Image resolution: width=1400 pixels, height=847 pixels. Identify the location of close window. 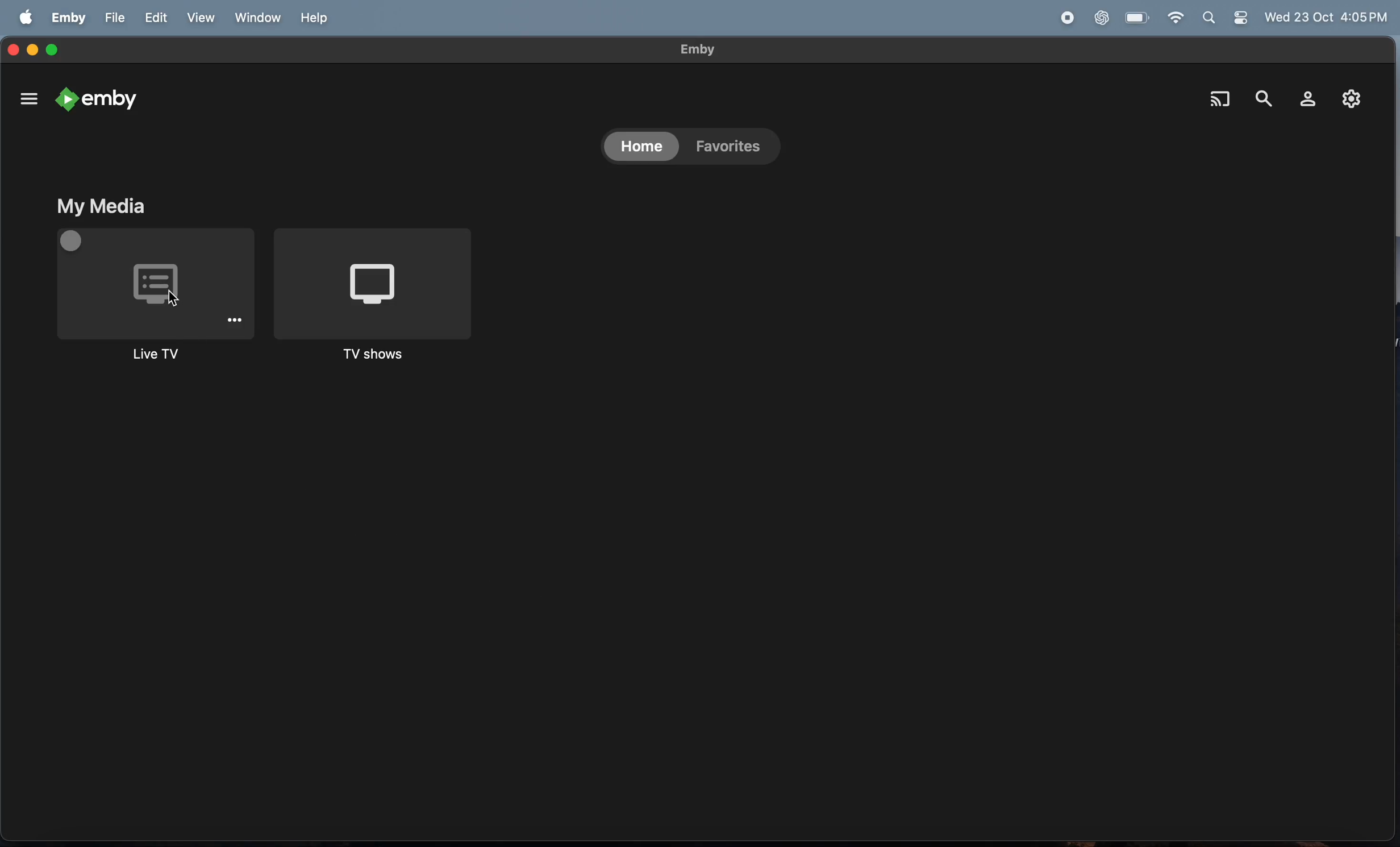
(12, 46).